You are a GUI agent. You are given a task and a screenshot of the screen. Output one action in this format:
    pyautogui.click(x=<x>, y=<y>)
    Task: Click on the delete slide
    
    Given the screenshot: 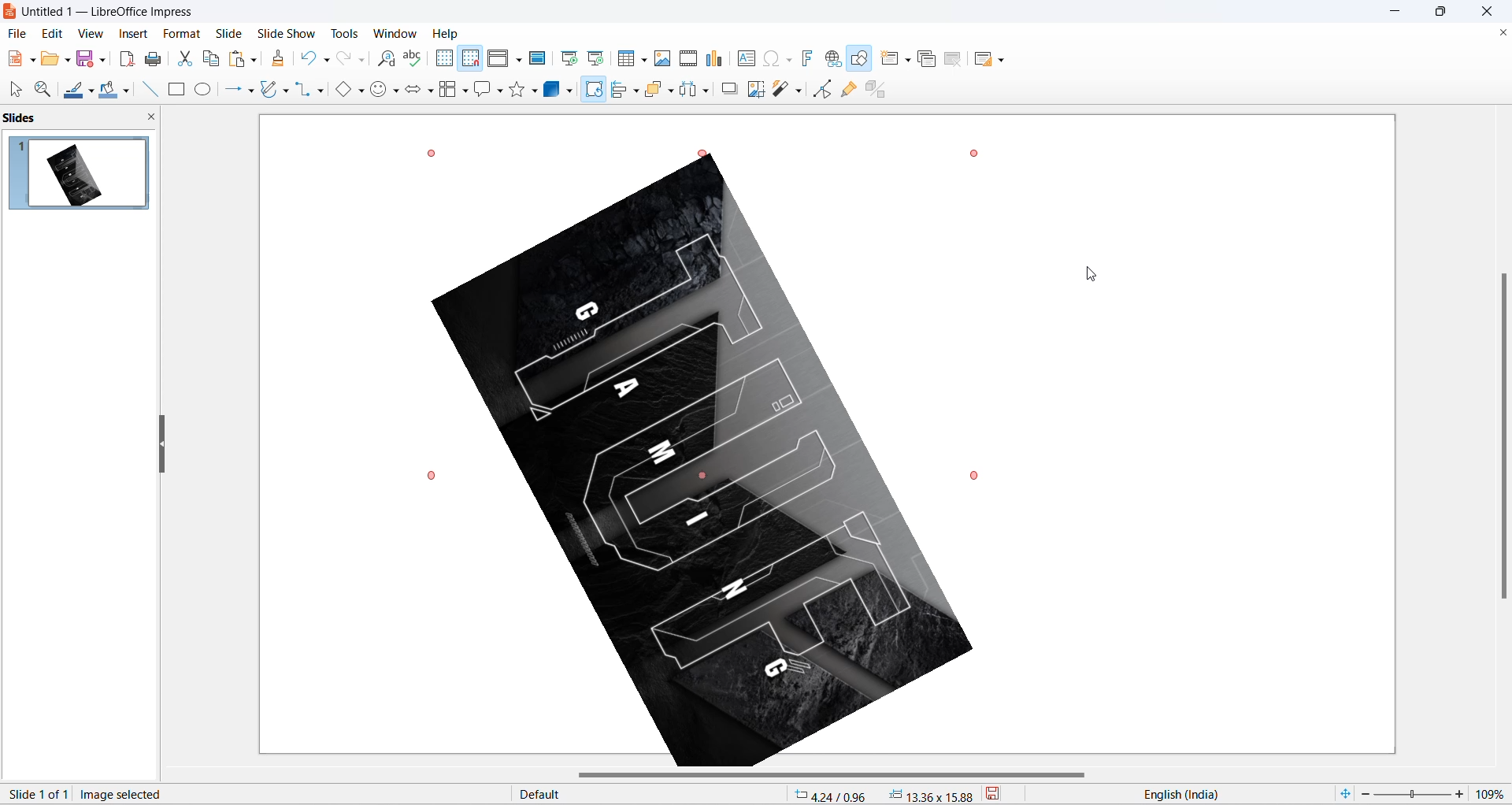 What is the action you would take?
    pyautogui.click(x=954, y=61)
    